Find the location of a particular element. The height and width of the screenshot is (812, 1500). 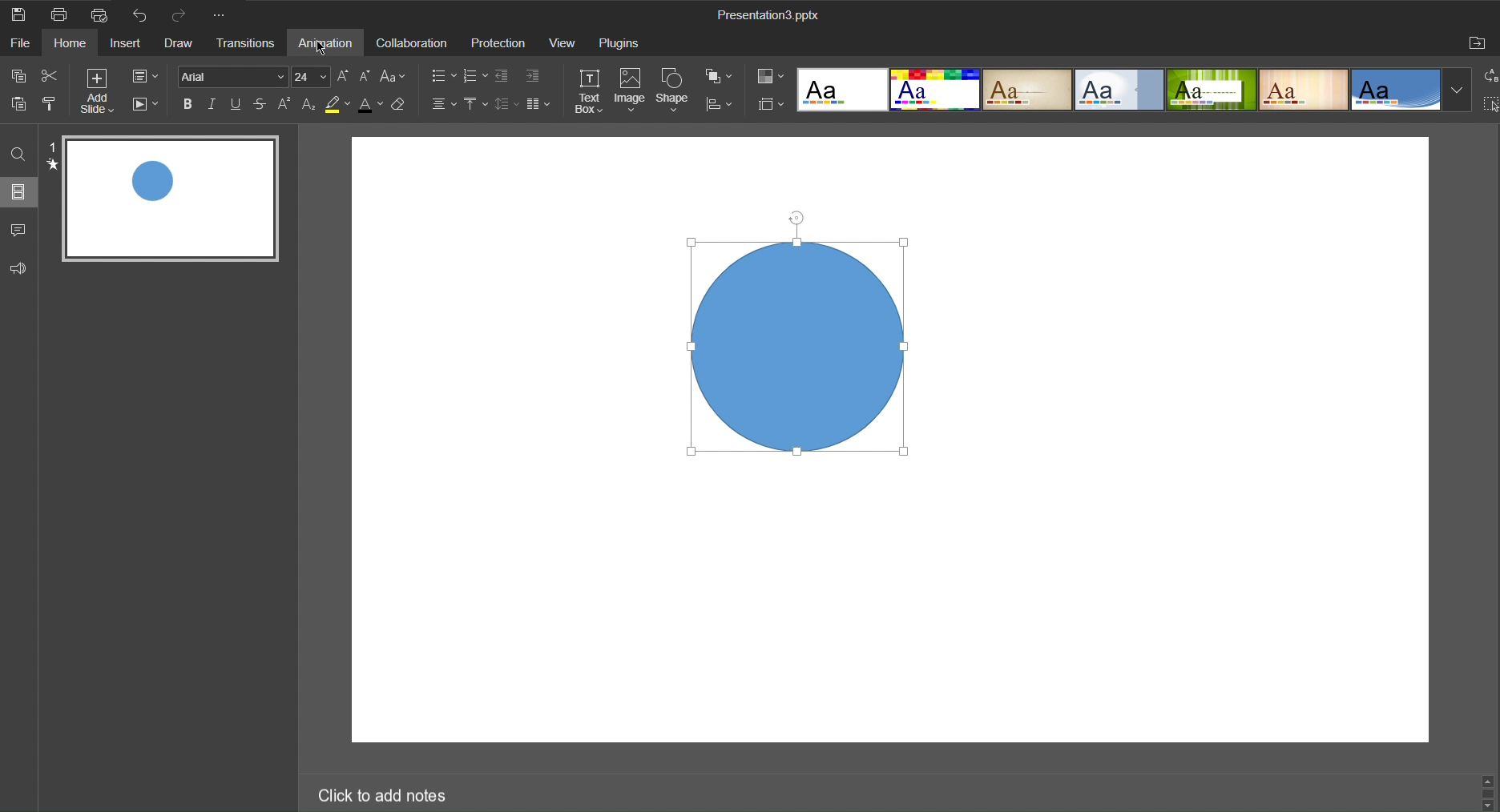

Arrange is located at coordinates (724, 77).